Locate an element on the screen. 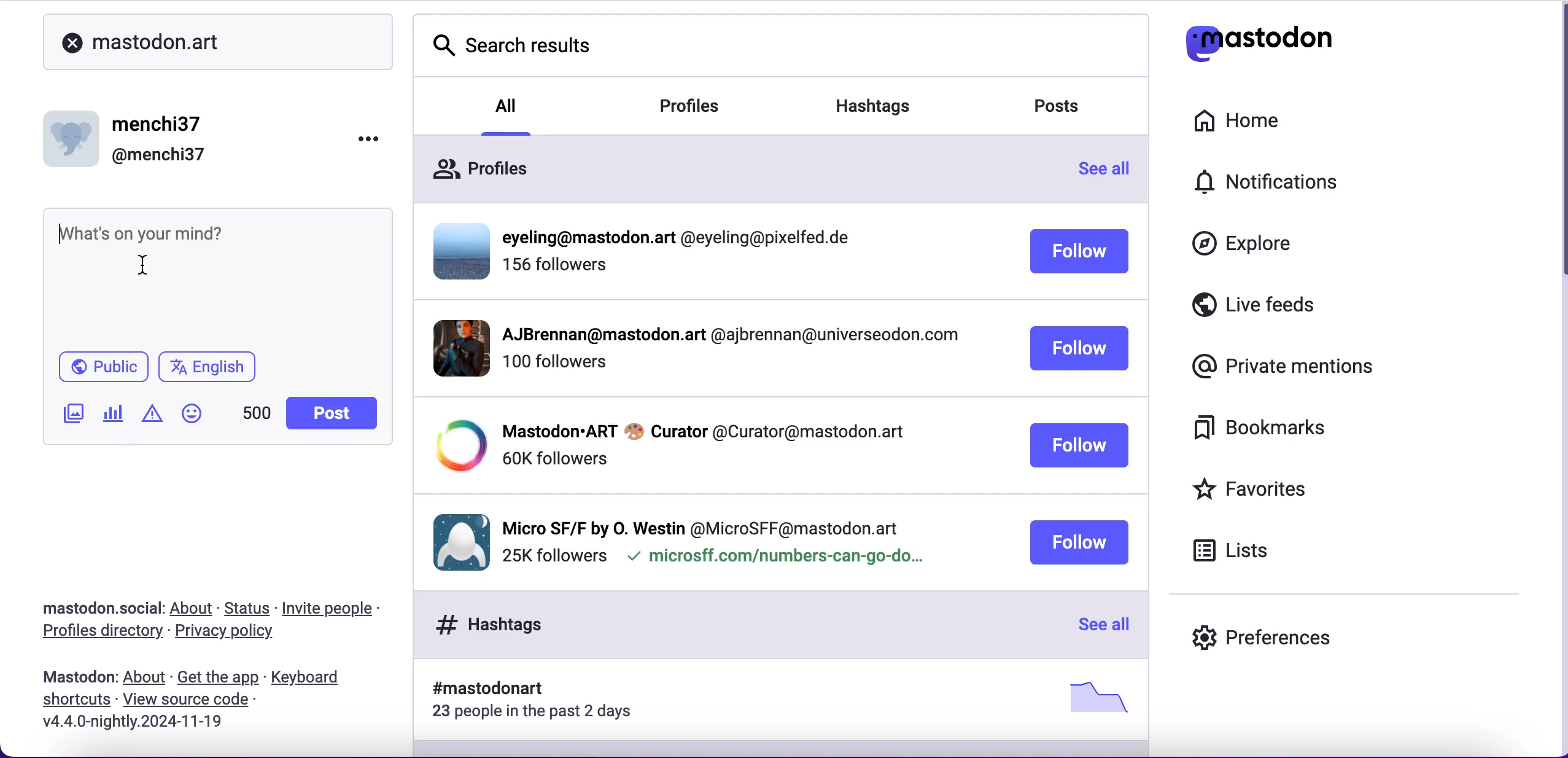 This screenshot has height=758, width=1568. profile is located at coordinates (728, 338).